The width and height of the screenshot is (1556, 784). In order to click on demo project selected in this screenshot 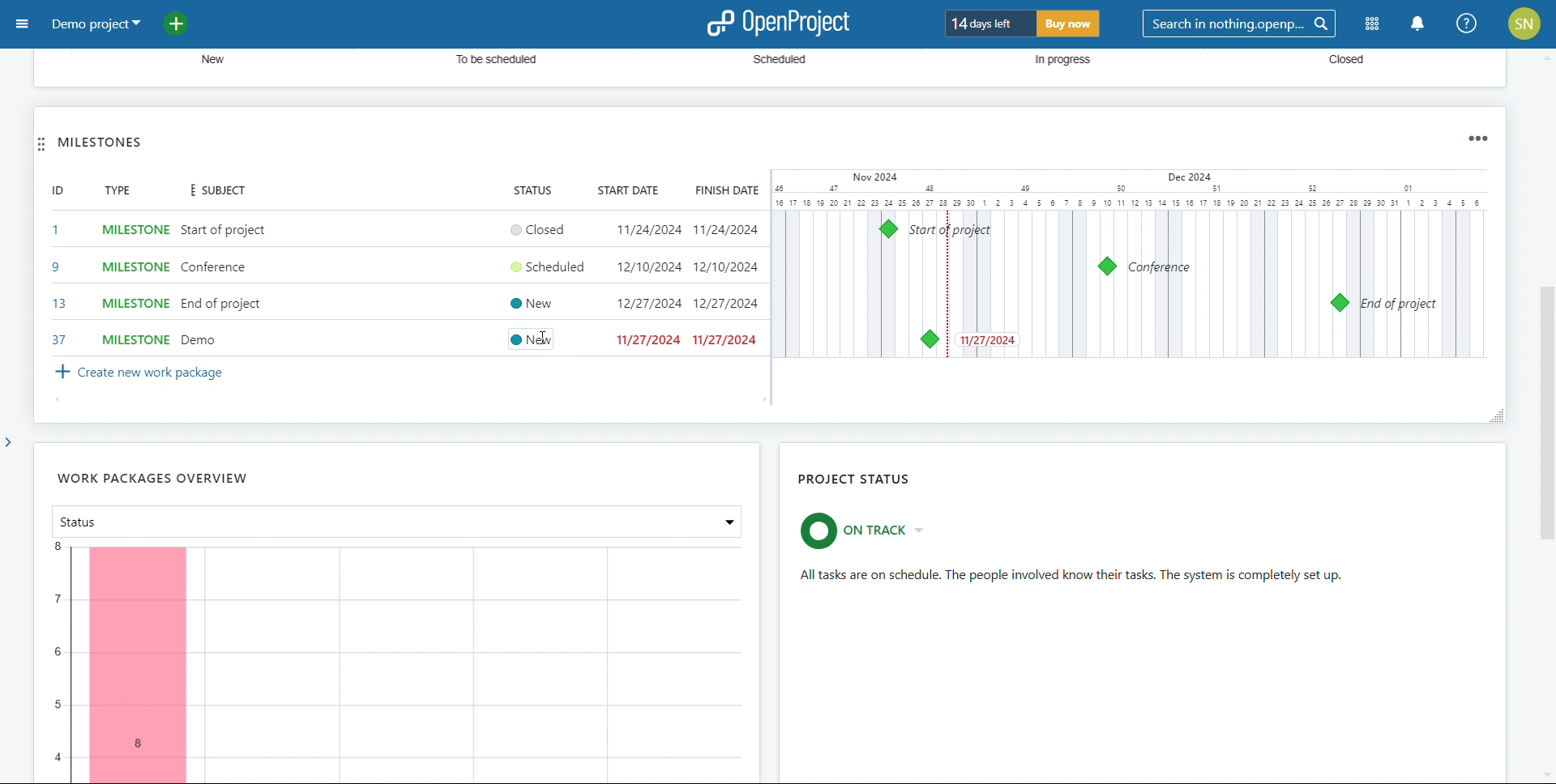, I will do `click(95, 23)`.